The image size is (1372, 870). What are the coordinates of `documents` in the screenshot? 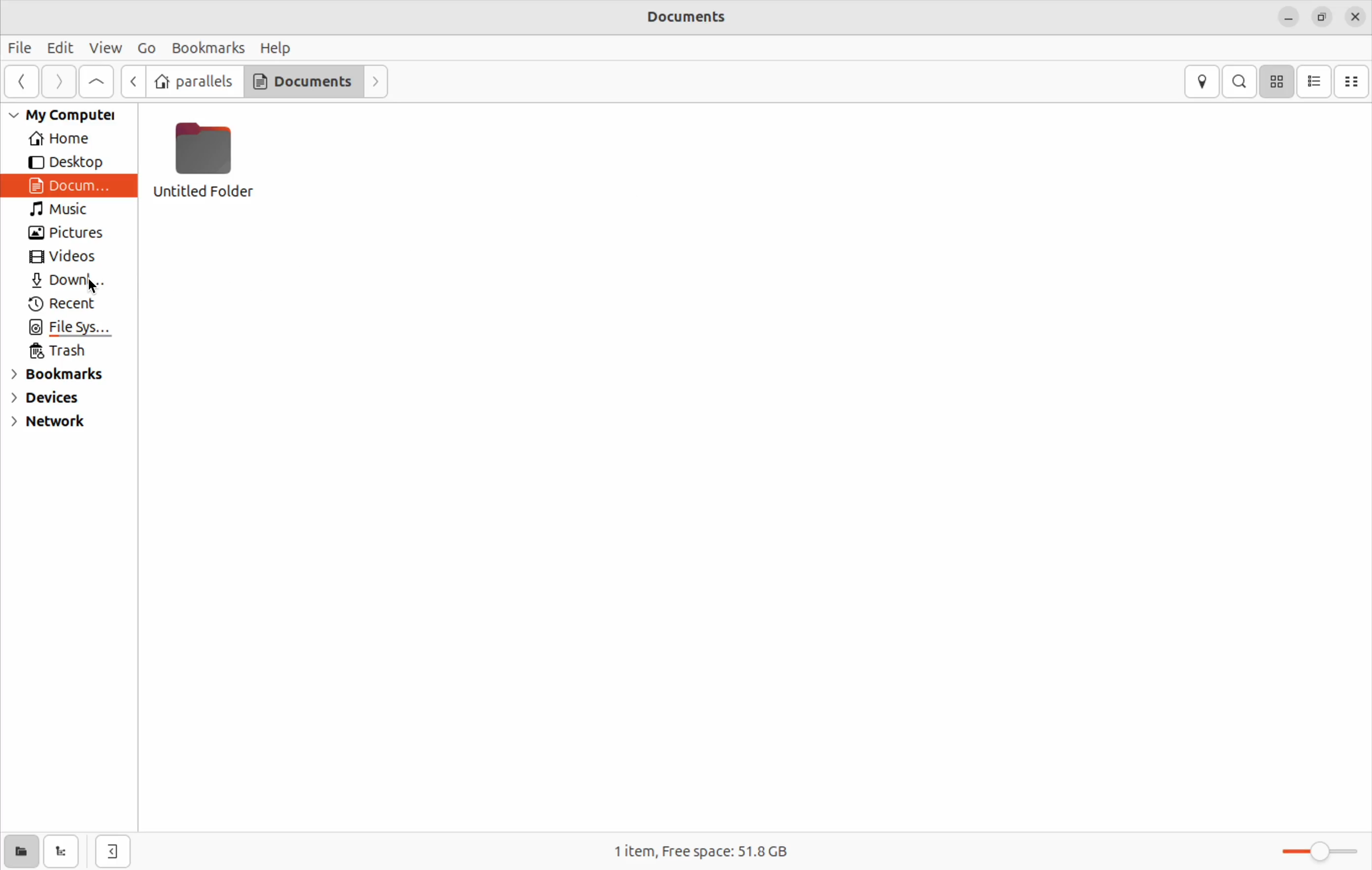 It's located at (303, 81).